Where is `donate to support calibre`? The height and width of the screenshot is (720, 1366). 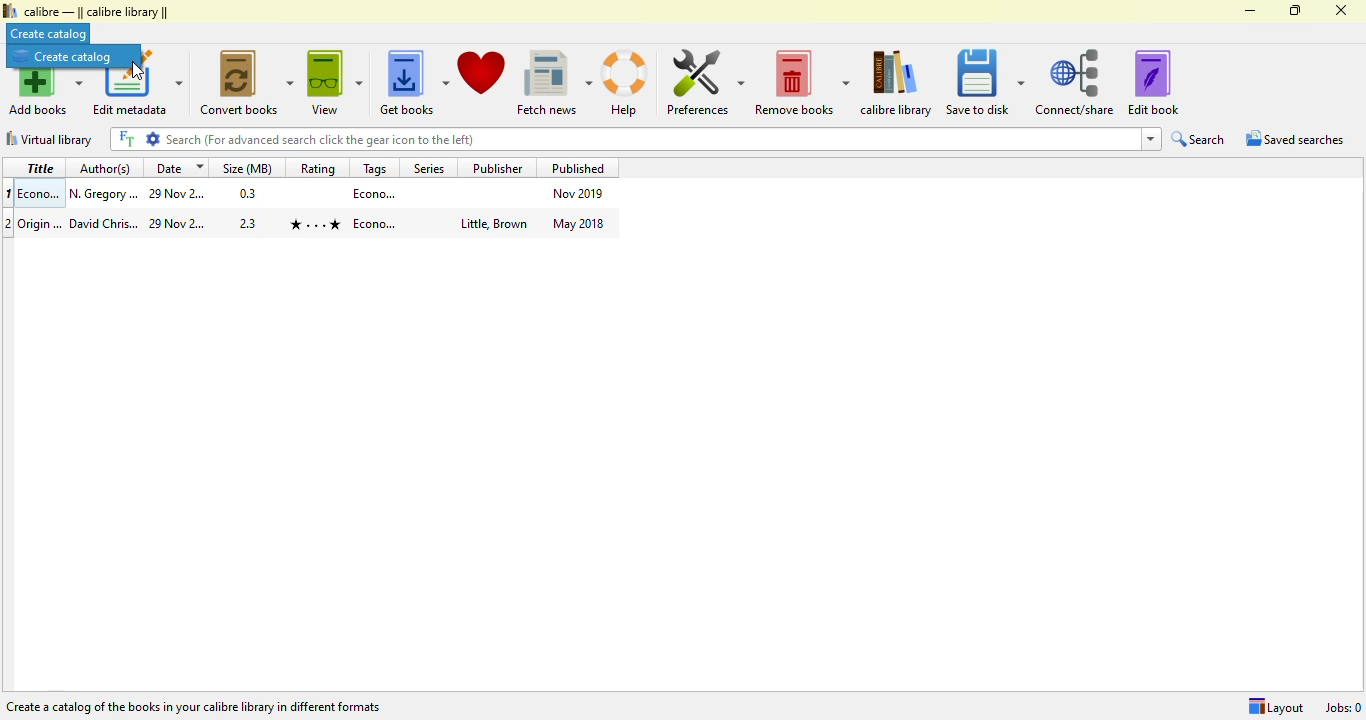 donate to support calibre is located at coordinates (481, 72).